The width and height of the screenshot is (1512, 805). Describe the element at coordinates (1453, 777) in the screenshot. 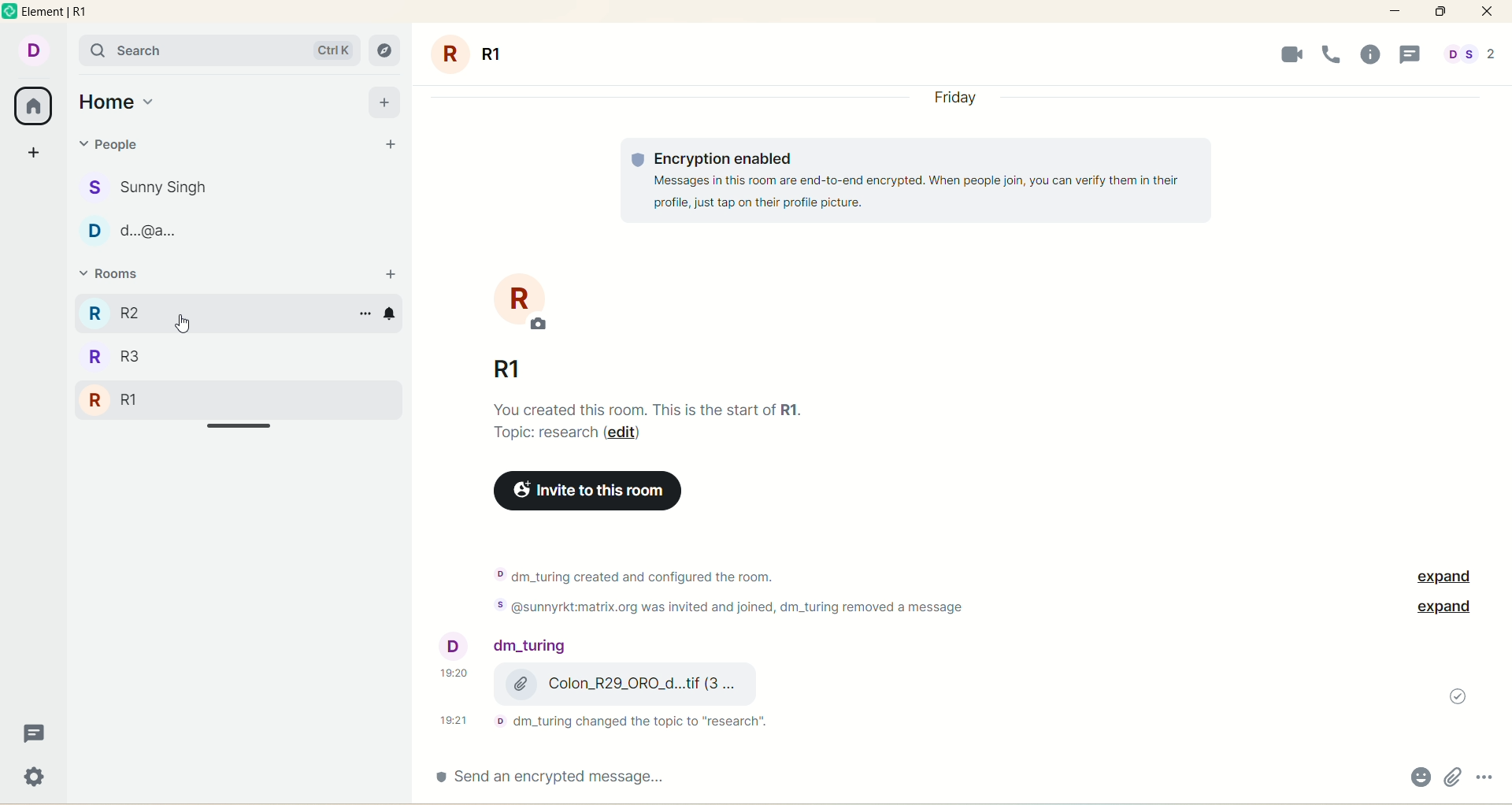

I see `attachments` at that location.